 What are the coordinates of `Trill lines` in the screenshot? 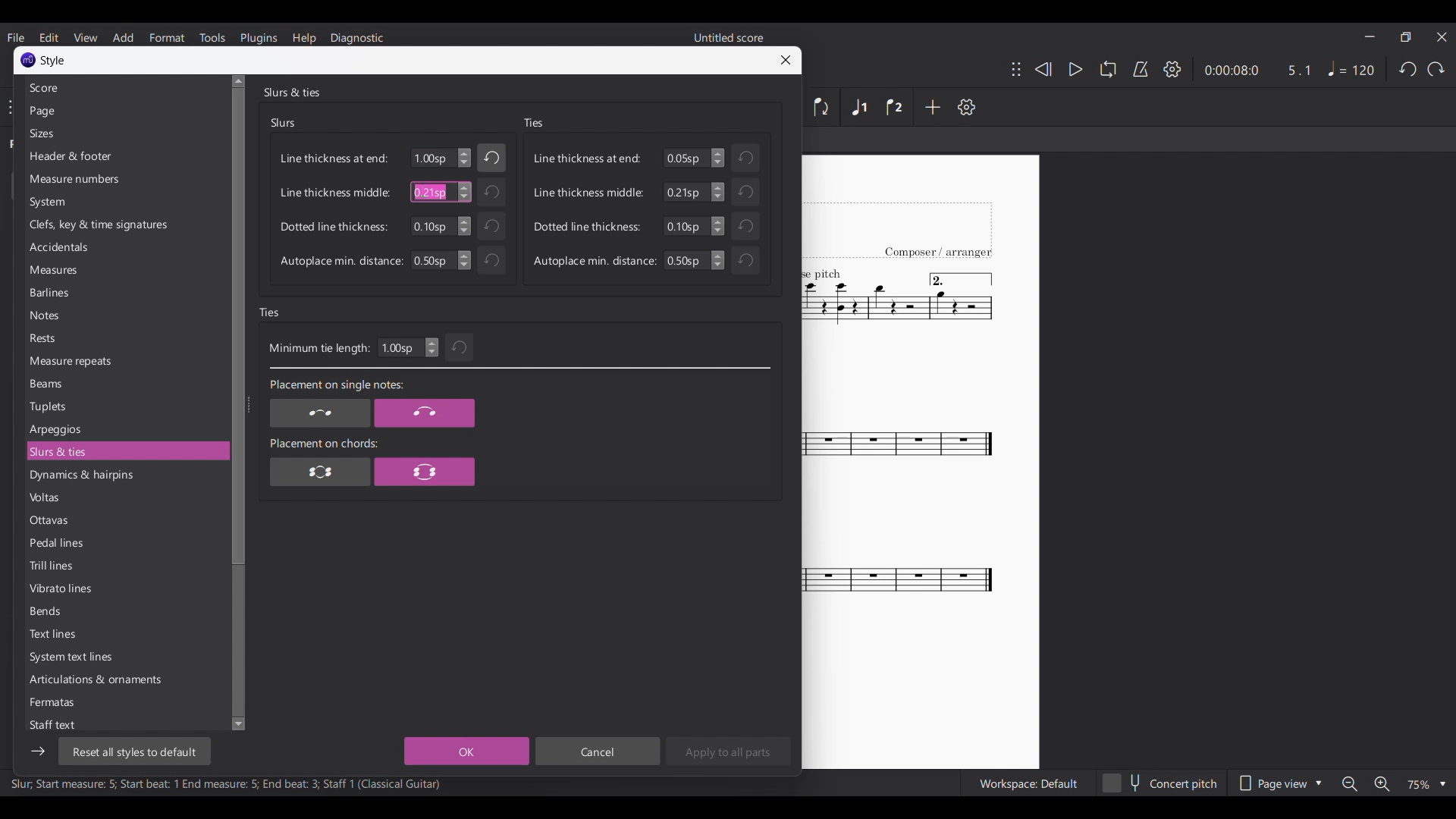 It's located at (125, 565).